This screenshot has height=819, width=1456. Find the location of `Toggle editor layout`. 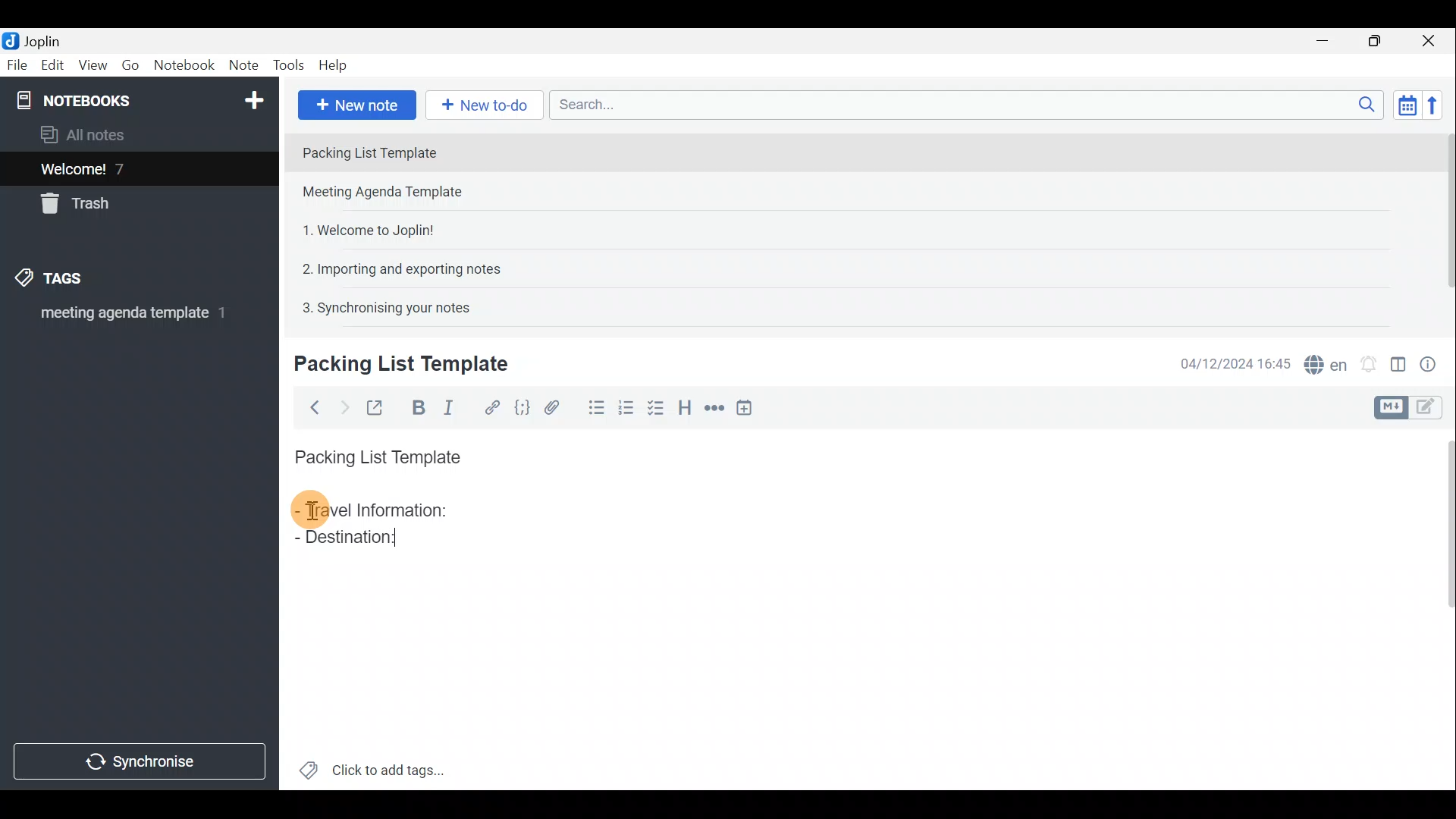

Toggle editor layout is located at coordinates (1398, 359).